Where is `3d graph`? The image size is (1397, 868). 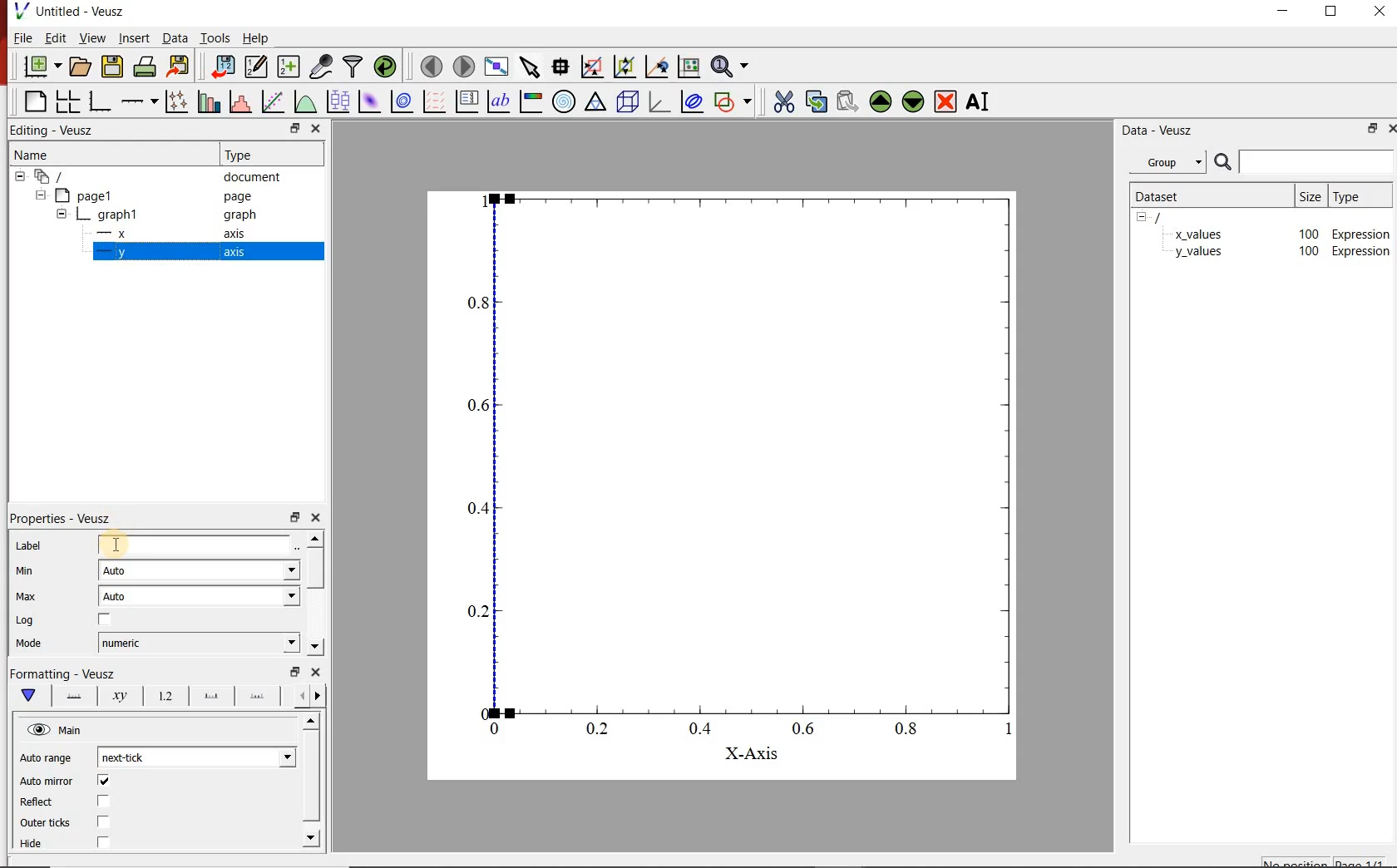
3d graph is located at coordinates (660, 104).